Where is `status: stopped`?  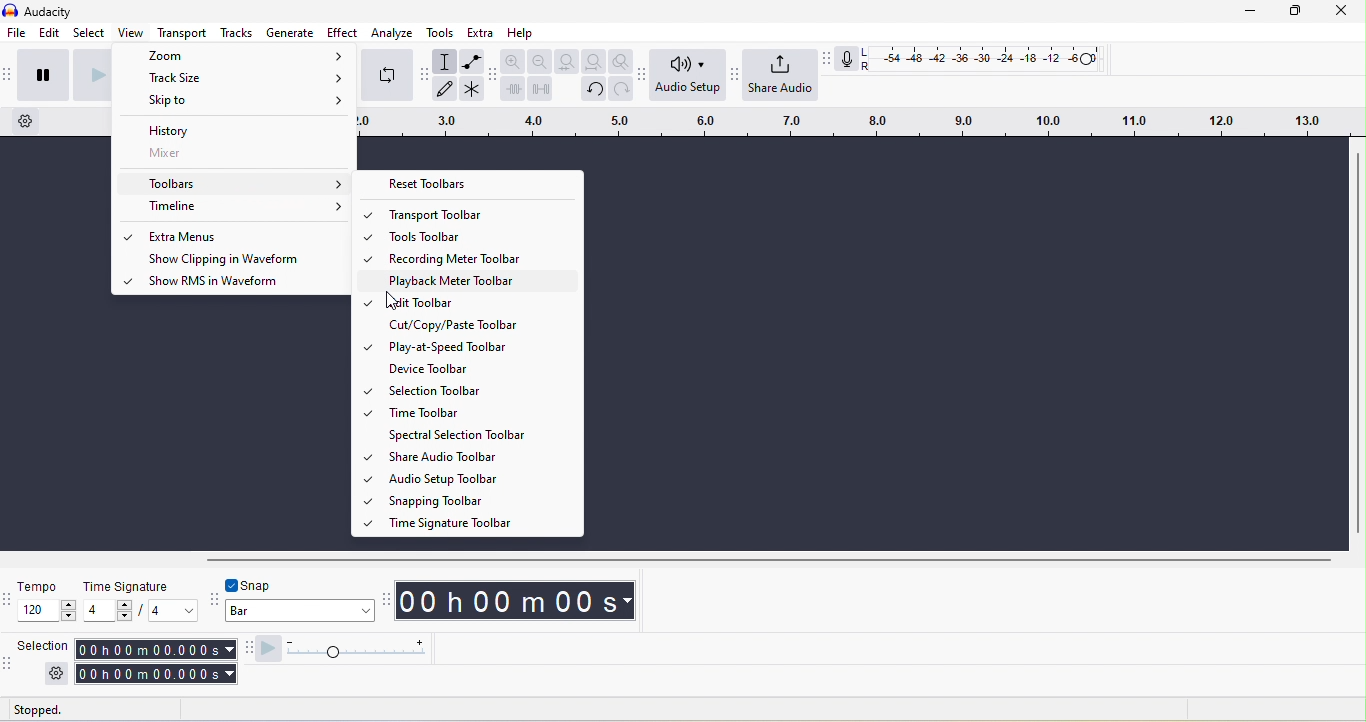
status: stopped is located at coordinates (37, 712).